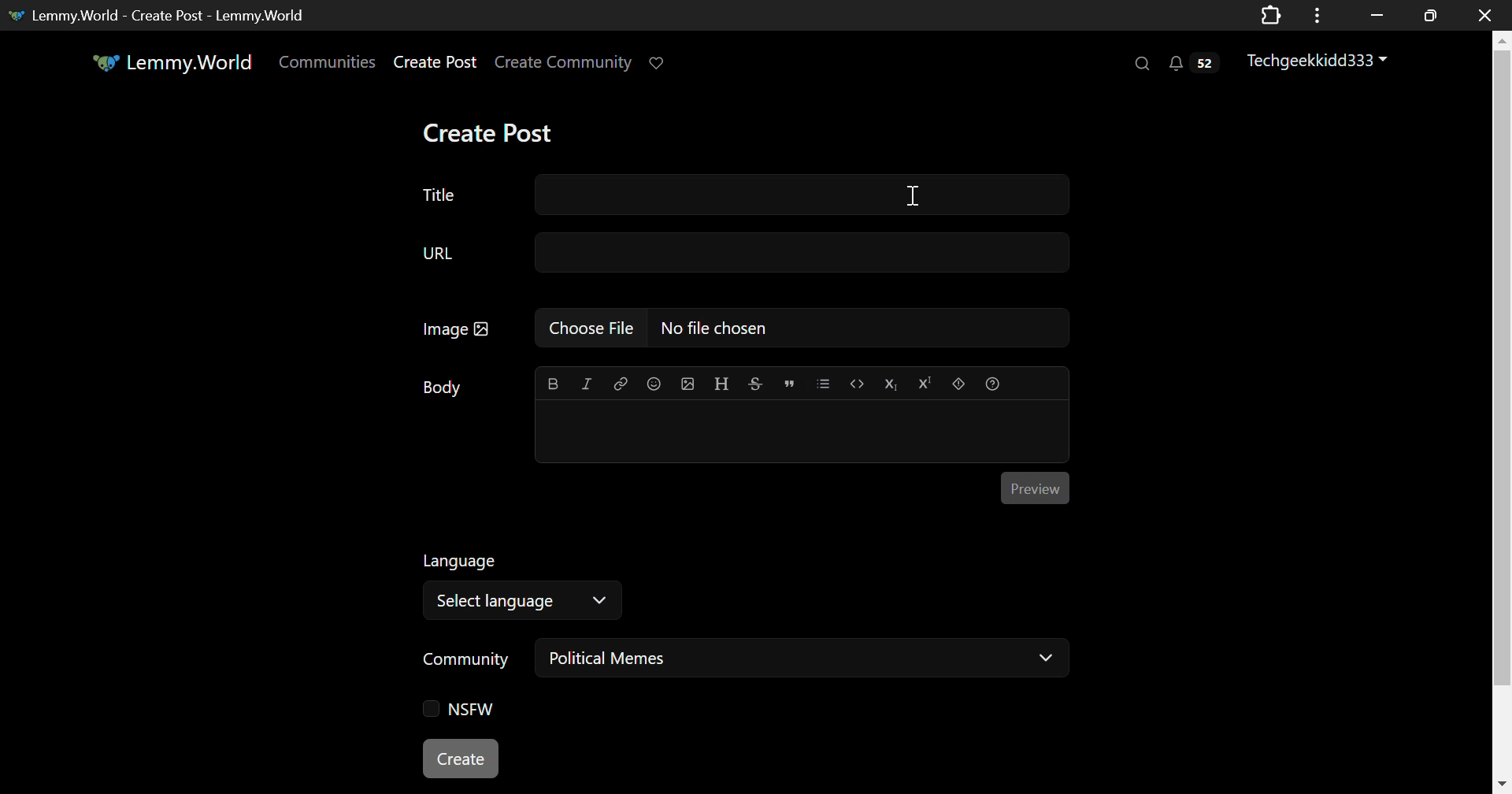 Image resolution: width=1512 pixels, height=794 pixels. What do you see at coordinates (326, 61) in the screenshot?
I see `Communities Page` at bounding box center [326, 61].